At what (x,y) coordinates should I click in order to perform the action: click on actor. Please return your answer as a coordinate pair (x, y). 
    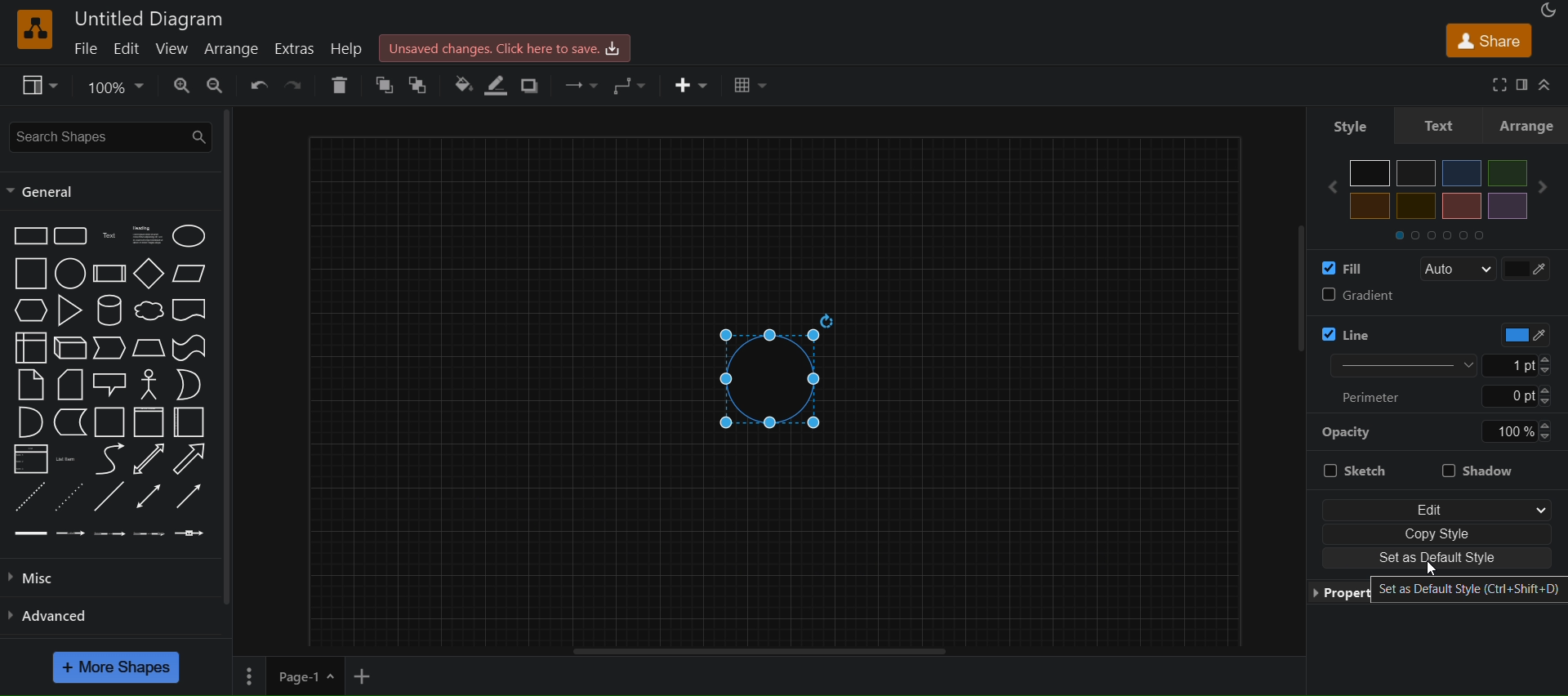
    Looking at the image, I should click on (150, 385).